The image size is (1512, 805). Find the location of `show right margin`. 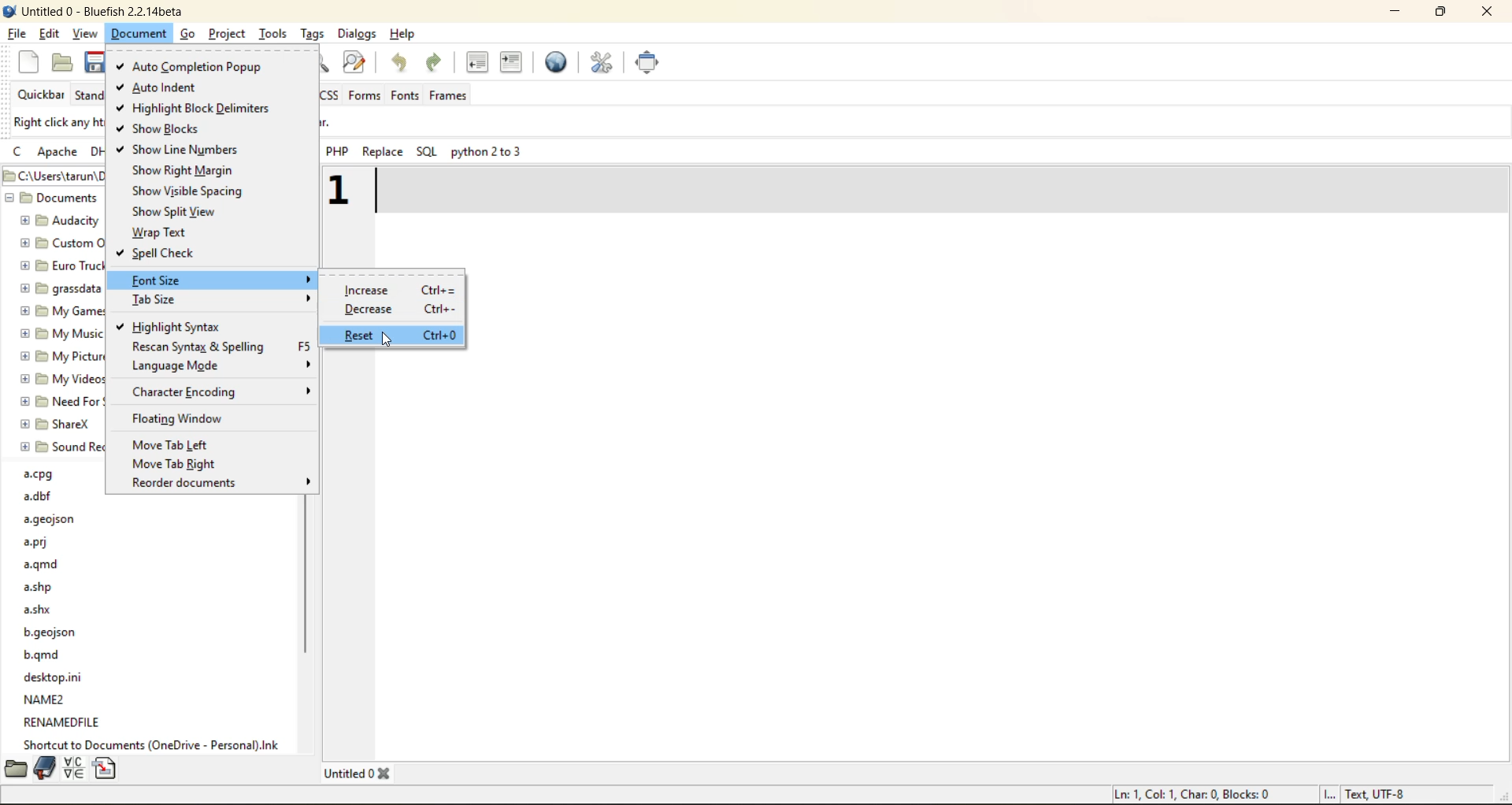

show right margin is located at coordinates (190, 170).